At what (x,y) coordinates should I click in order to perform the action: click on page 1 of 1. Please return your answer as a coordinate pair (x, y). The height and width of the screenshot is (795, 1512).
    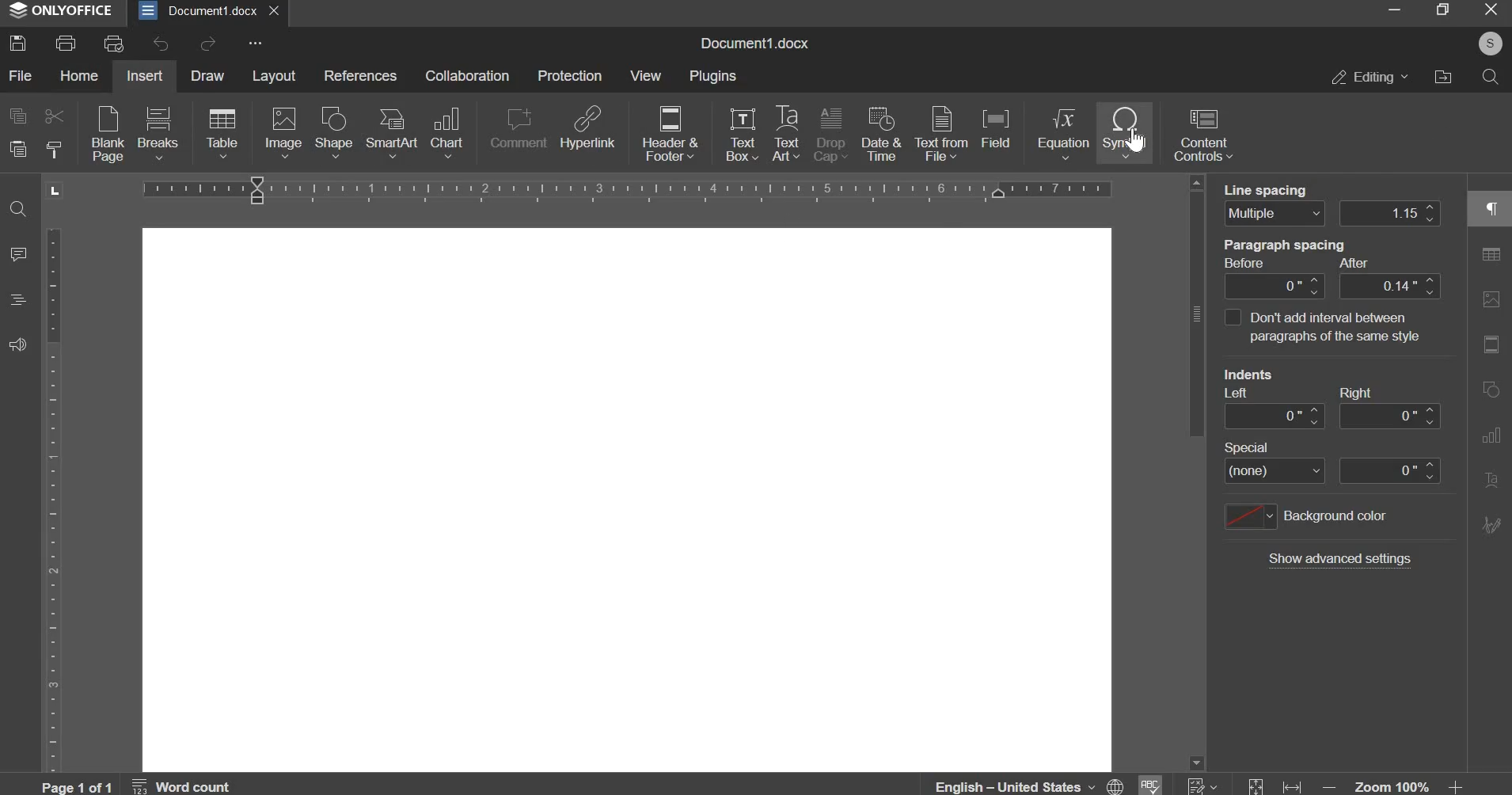
    Looking at the image, I should click on (79, 786).